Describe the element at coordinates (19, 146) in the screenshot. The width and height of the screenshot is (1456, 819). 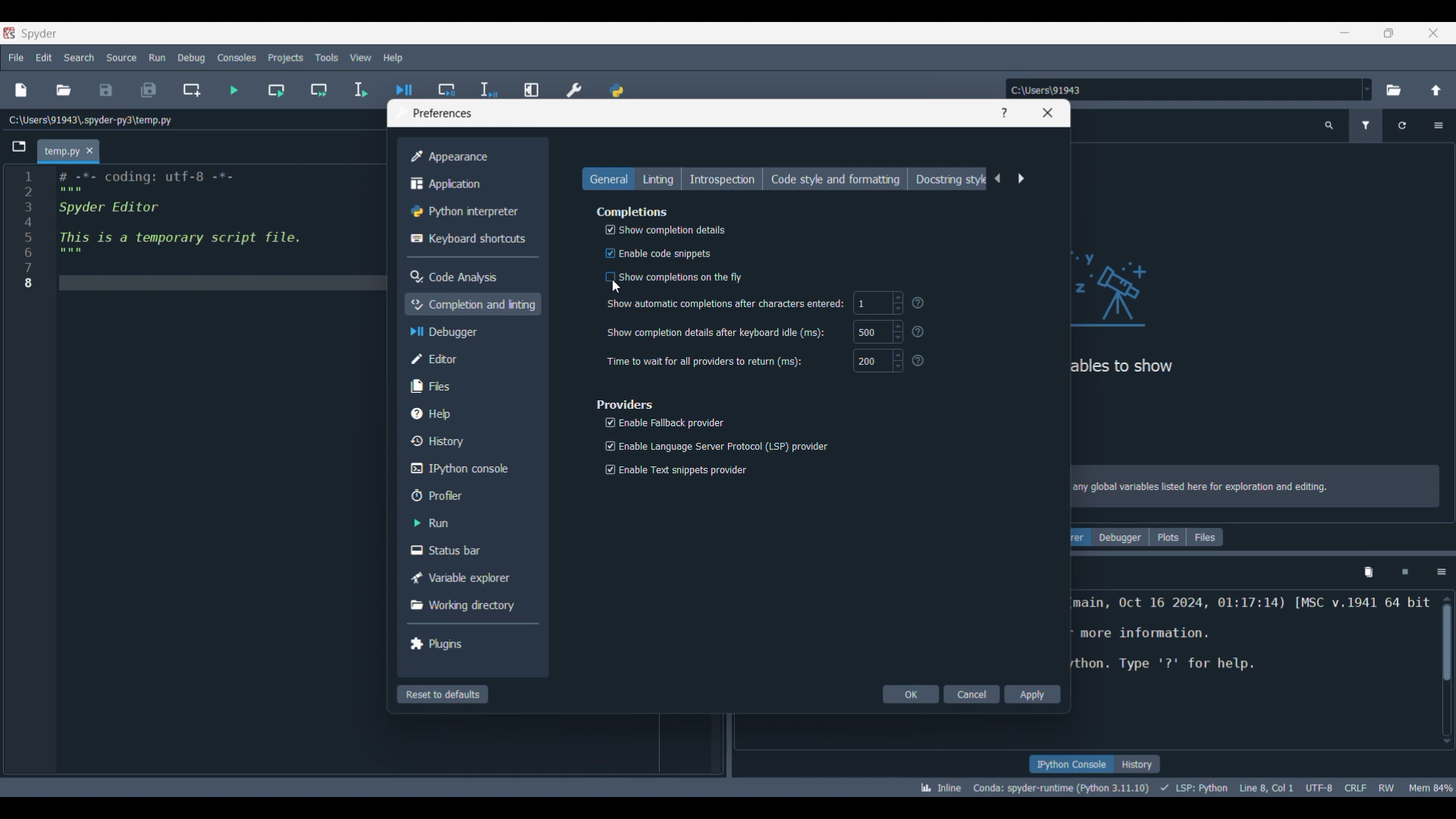
I see `Browse tabs` at that location.